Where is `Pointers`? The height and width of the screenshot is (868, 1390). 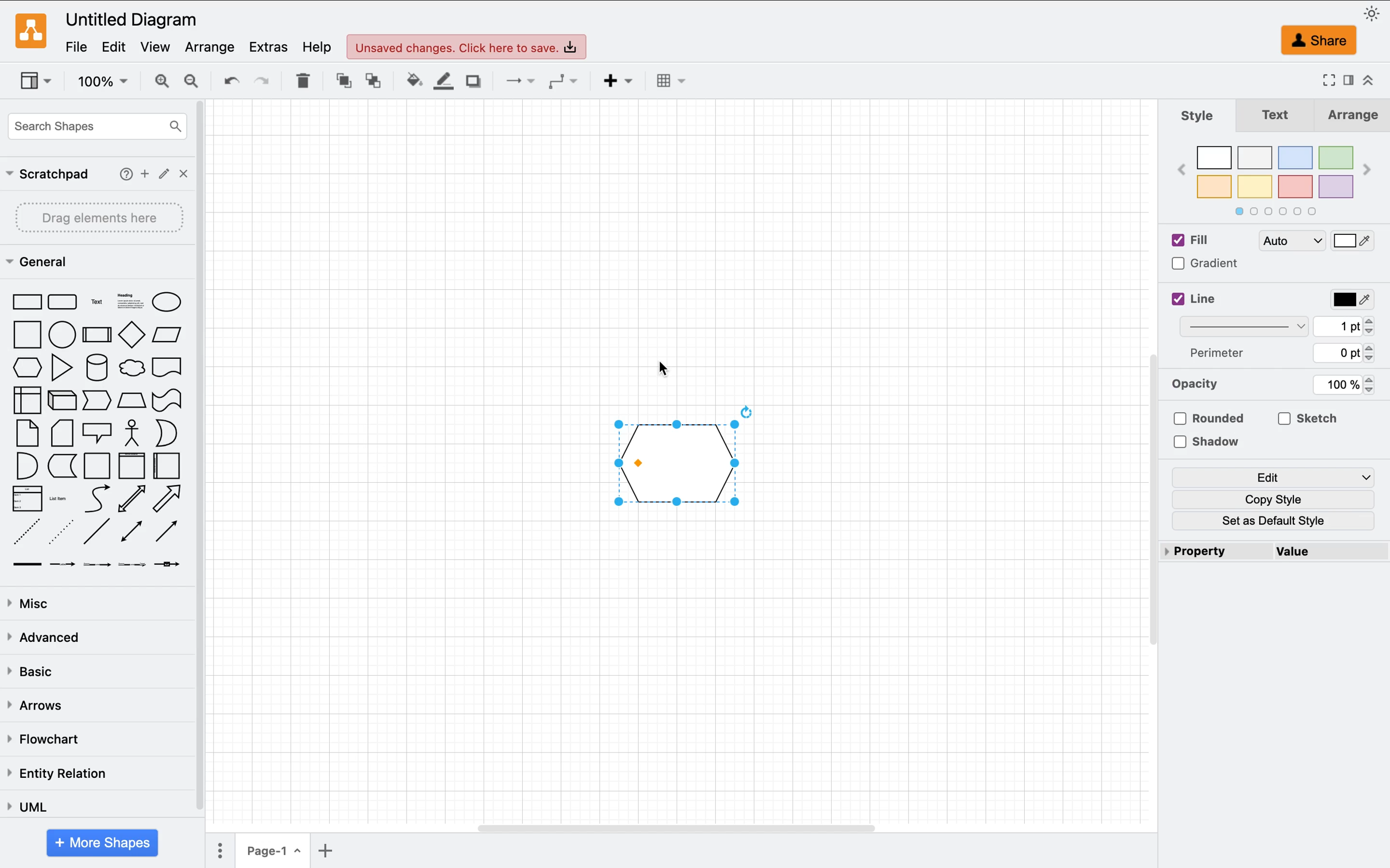 Pointers is located at coordinates (1356, 327).